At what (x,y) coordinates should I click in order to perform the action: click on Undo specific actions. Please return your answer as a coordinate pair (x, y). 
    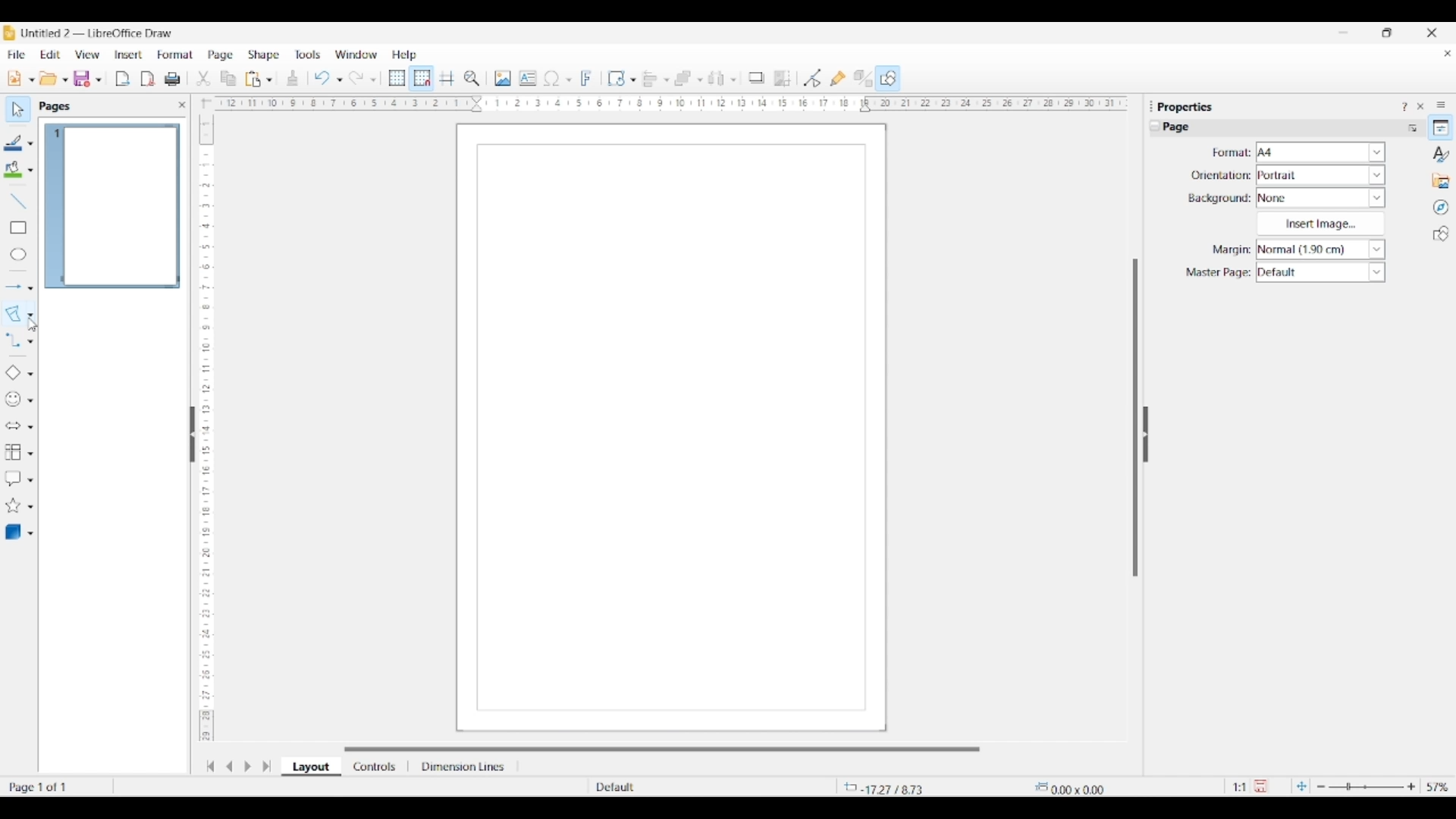
    Looking at the image, I should click on (339, 80).